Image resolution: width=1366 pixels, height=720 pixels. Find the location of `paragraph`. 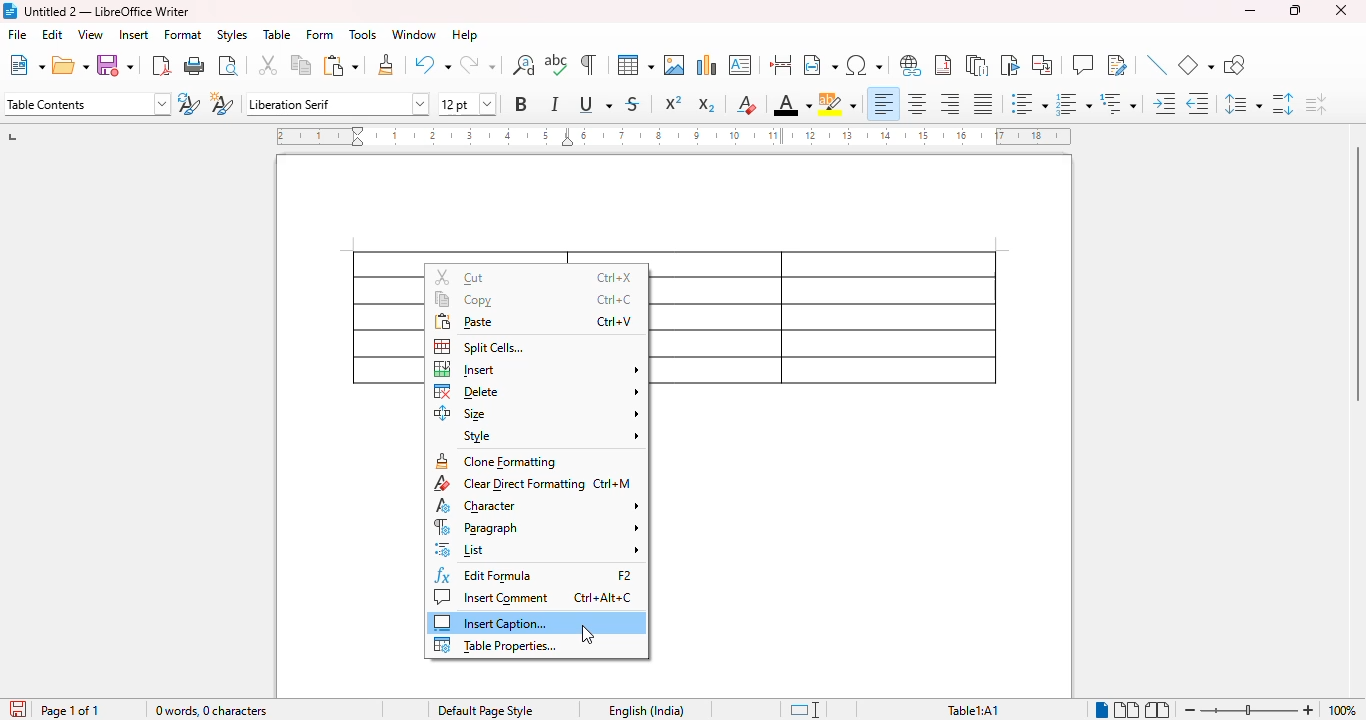

paragraph is located at coordinates (537, 527).